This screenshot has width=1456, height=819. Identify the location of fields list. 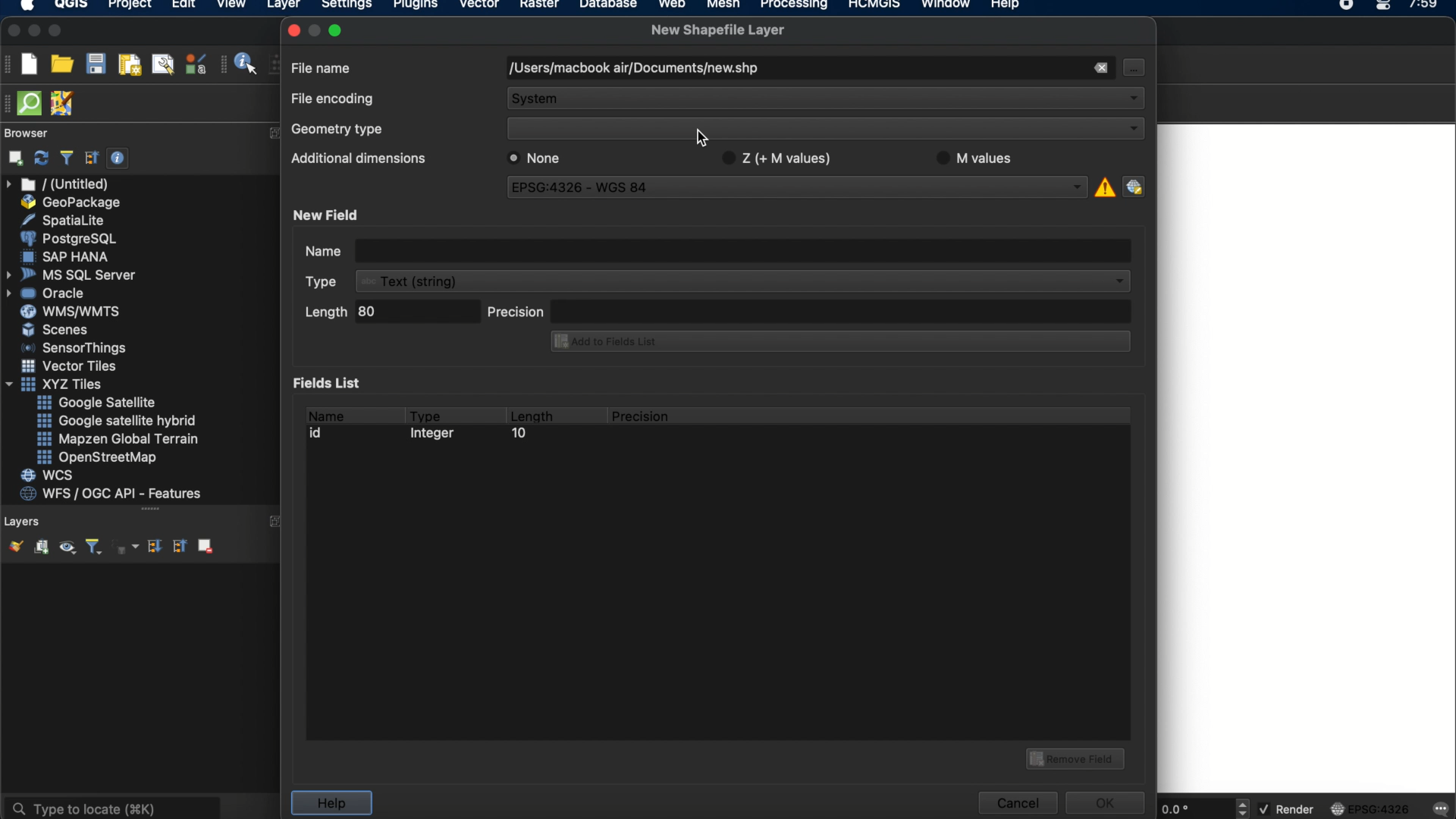
(331, 382).